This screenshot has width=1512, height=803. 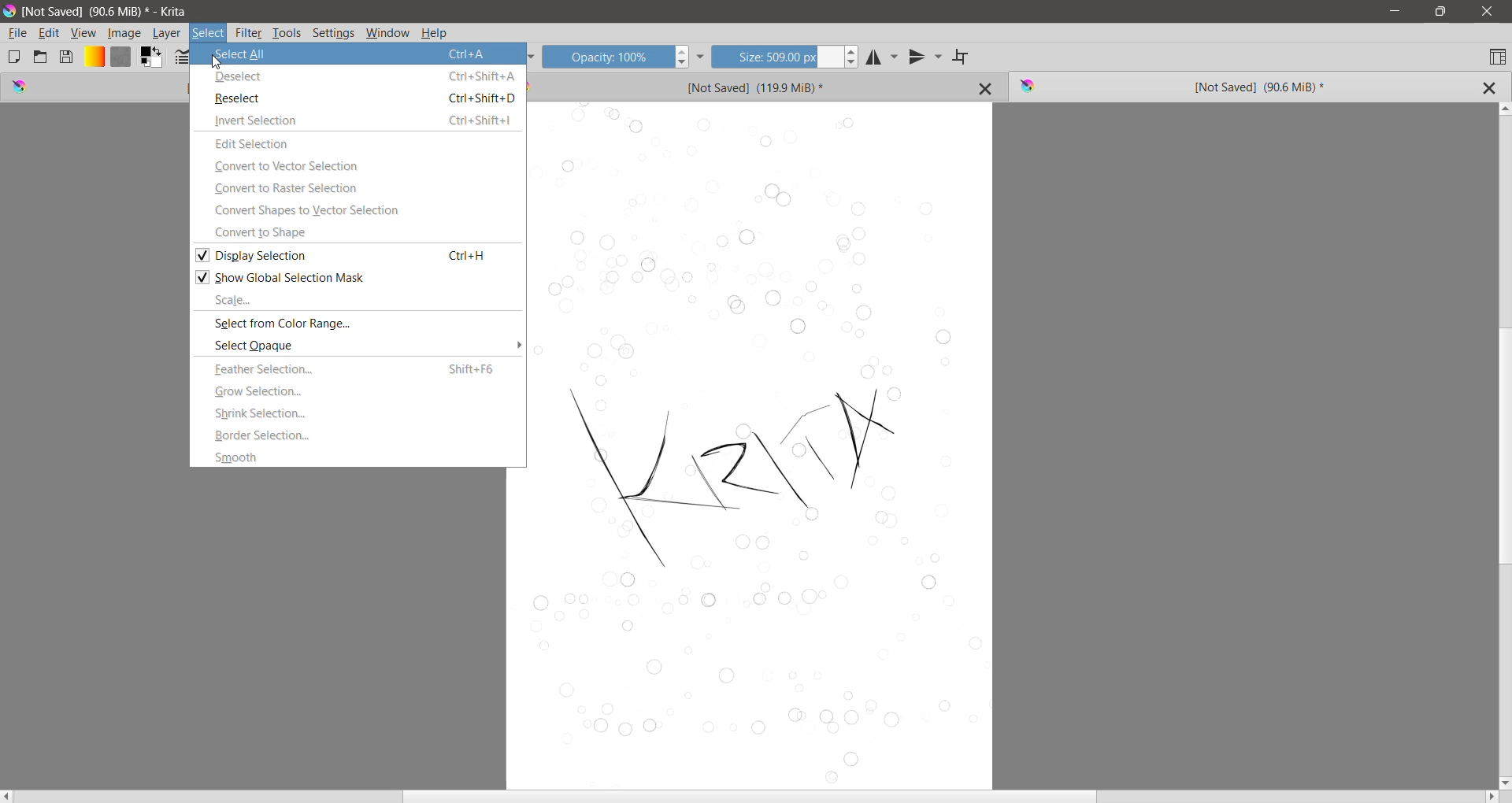 I want to click on Window, so click(x=388, y=34).